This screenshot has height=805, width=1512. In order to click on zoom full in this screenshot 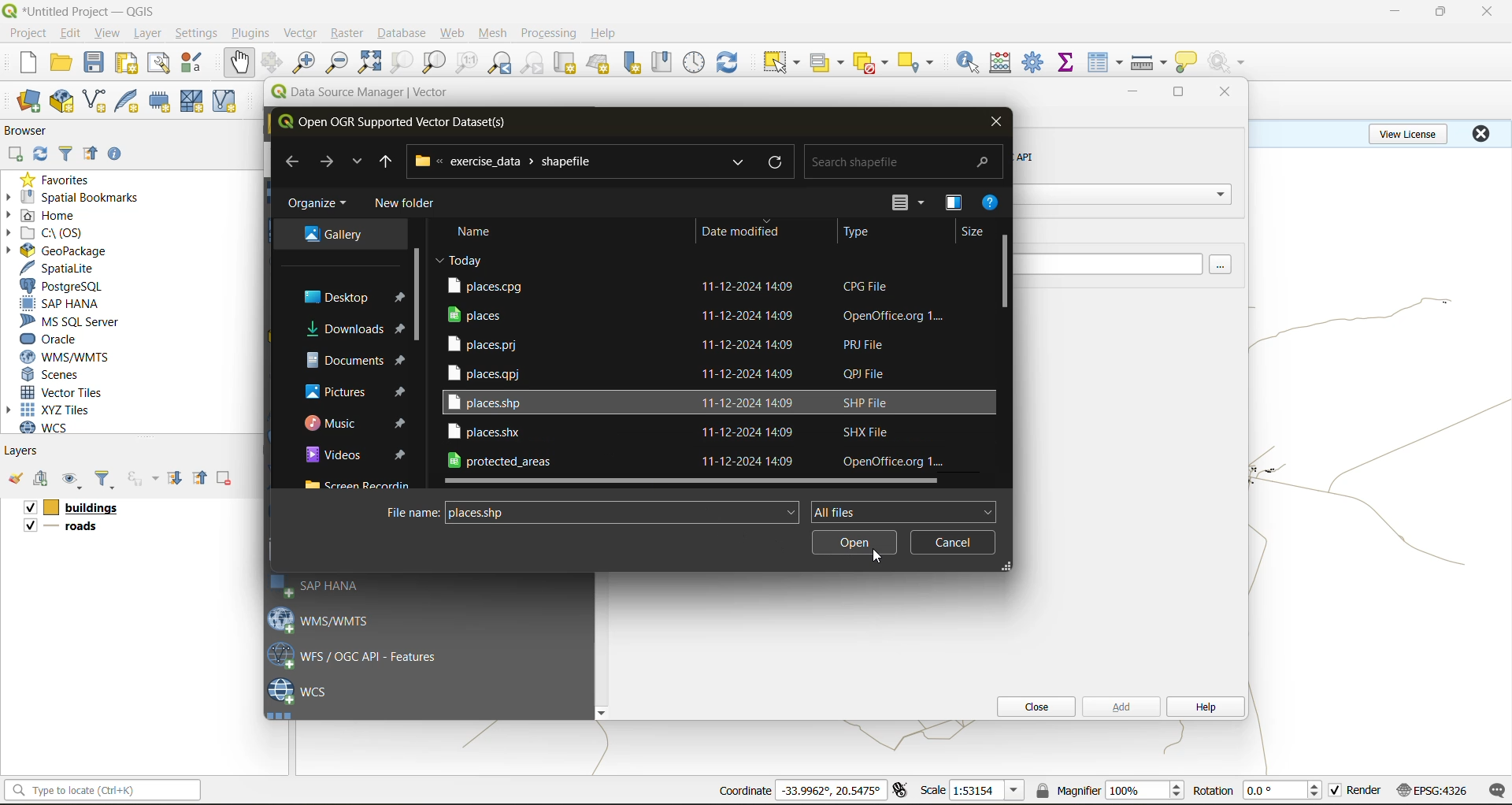, I will do `click(369, 62)`.